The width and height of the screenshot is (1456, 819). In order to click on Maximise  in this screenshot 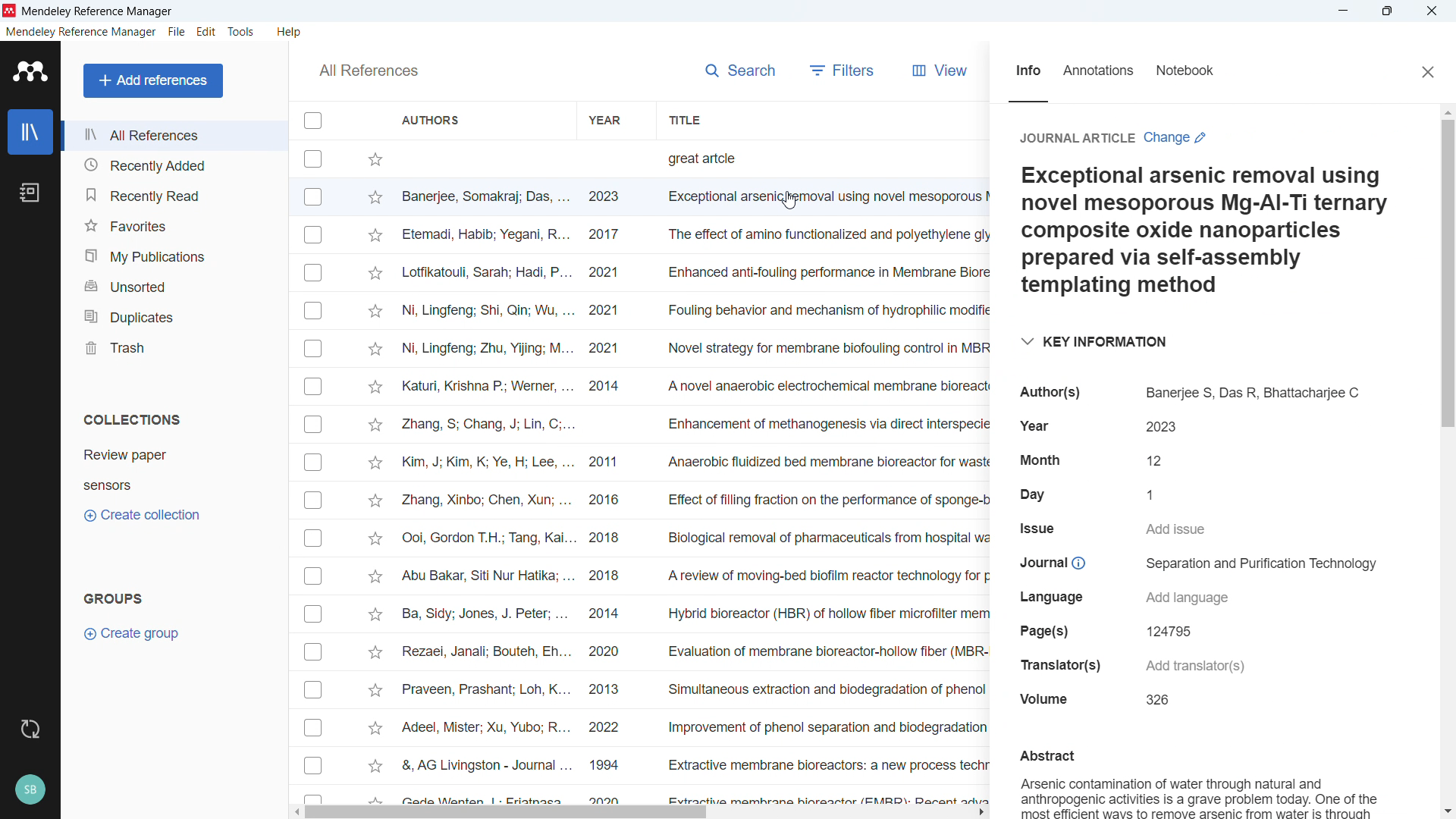, I will do `click(1386, 11)`.